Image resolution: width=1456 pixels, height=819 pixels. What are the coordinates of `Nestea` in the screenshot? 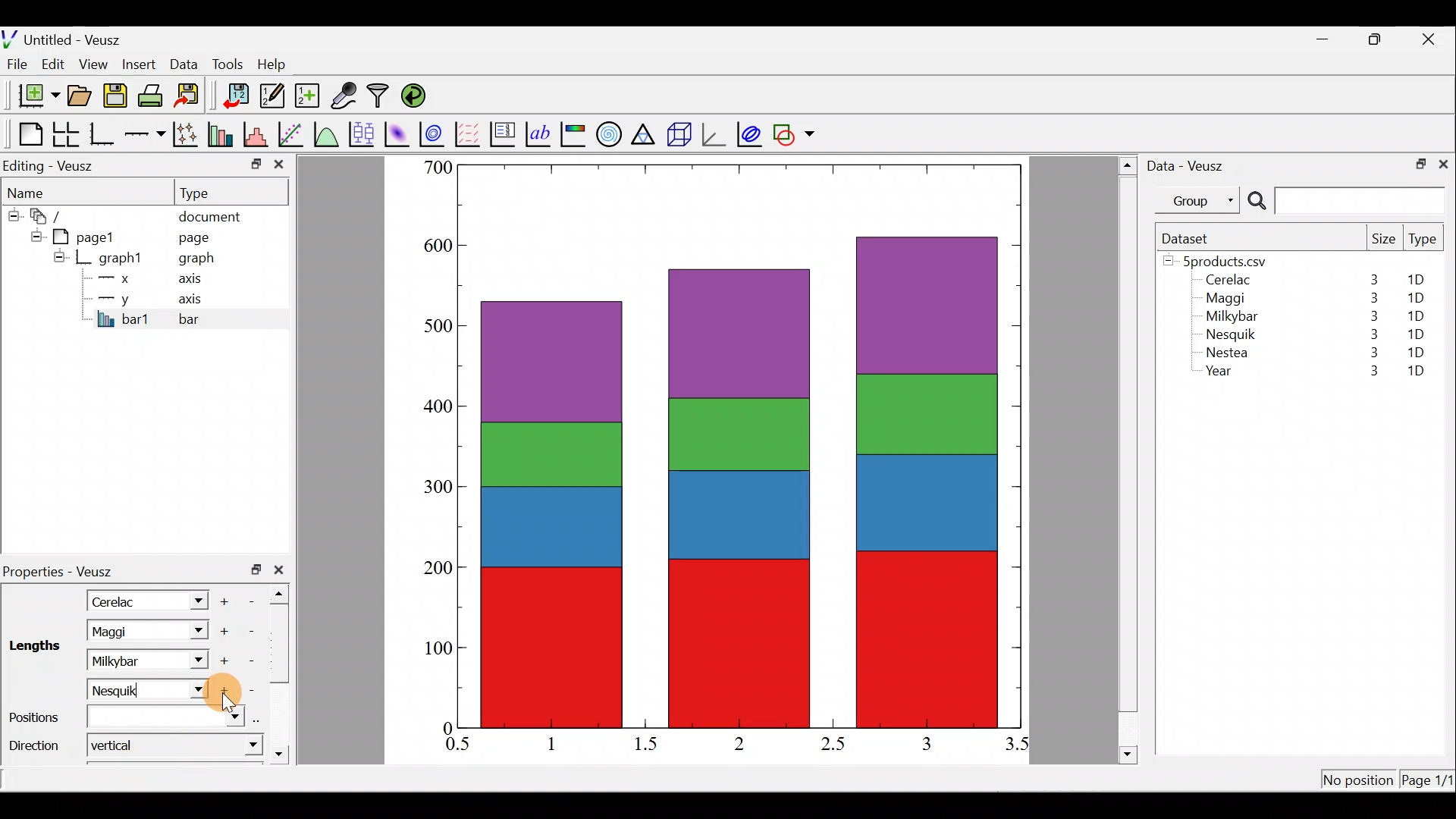 It's located at (1228, 353).